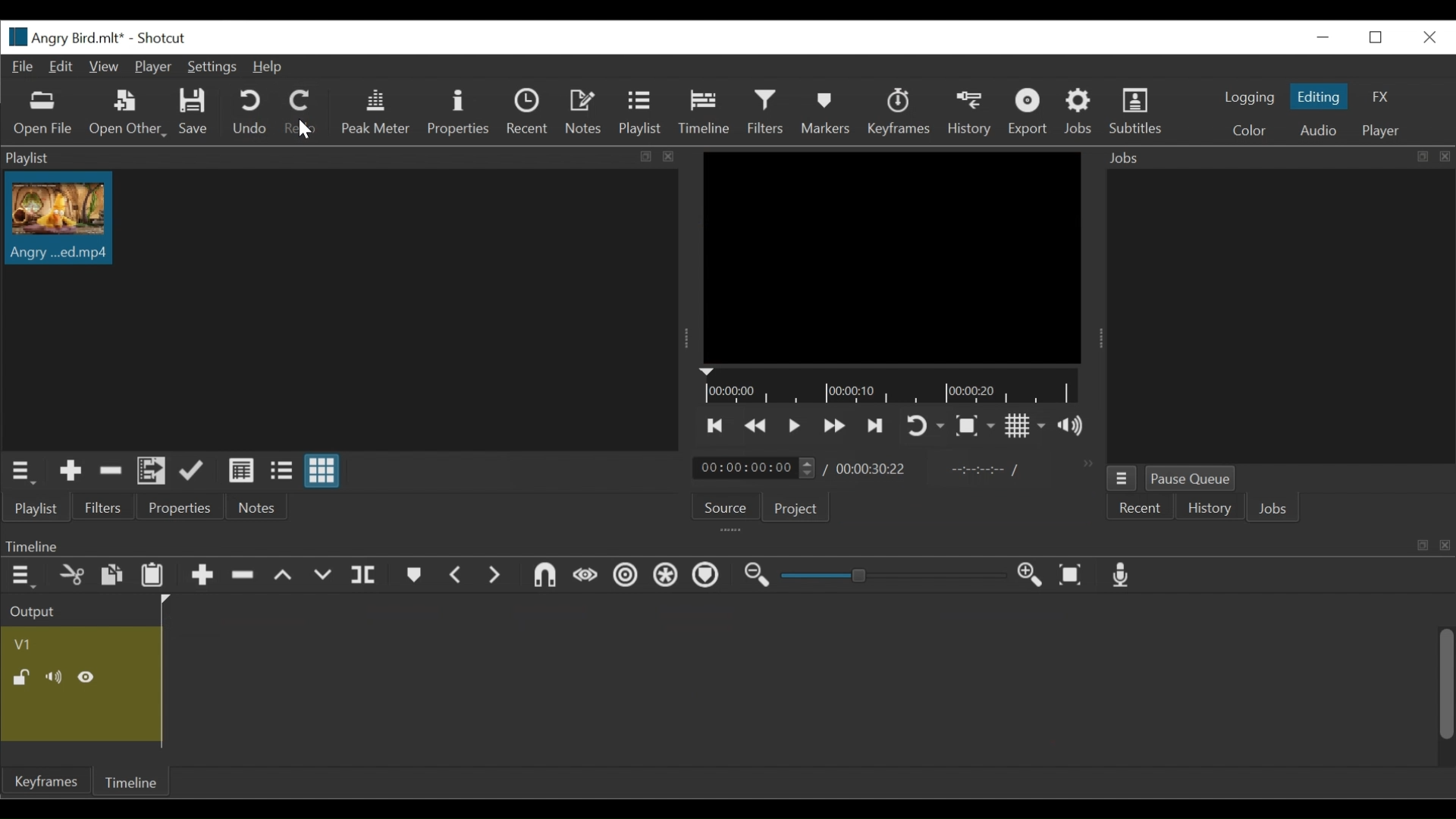  I want to click on Record audio, so click(1122, 576).